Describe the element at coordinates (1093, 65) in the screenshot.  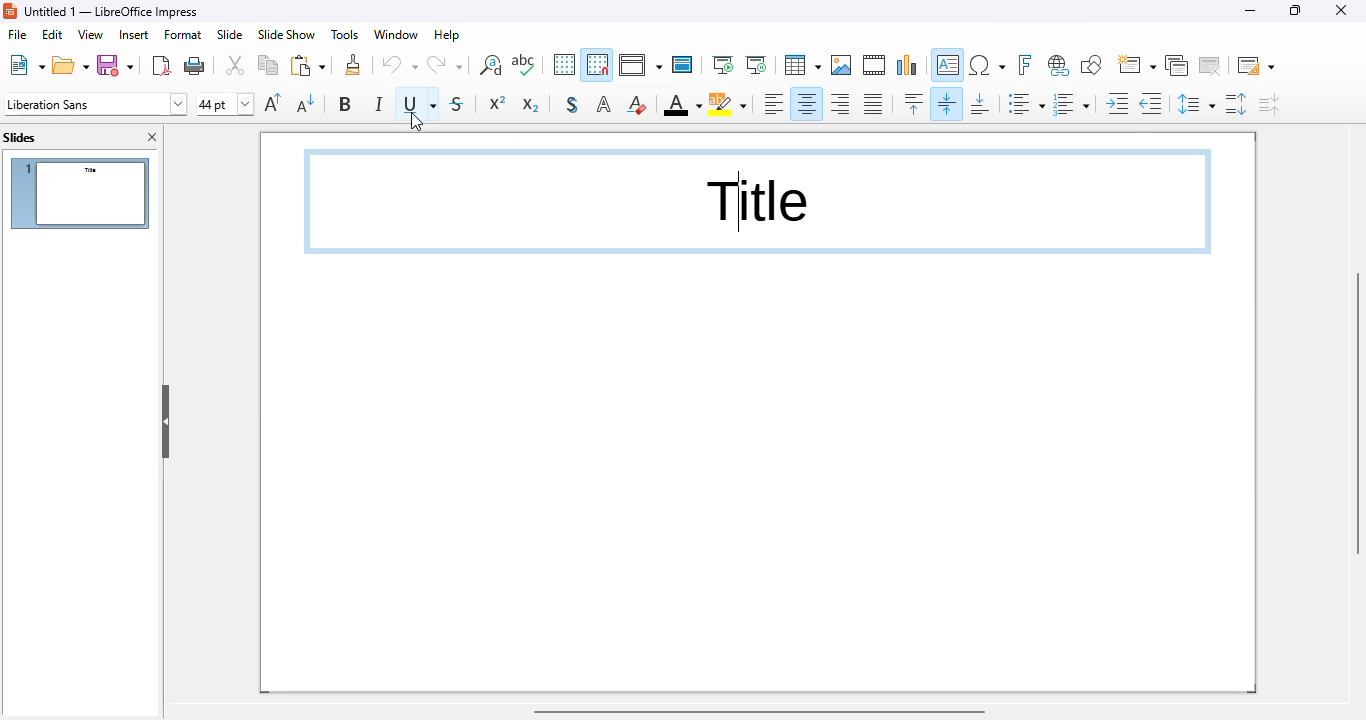
I see `show draw functions` at that location.